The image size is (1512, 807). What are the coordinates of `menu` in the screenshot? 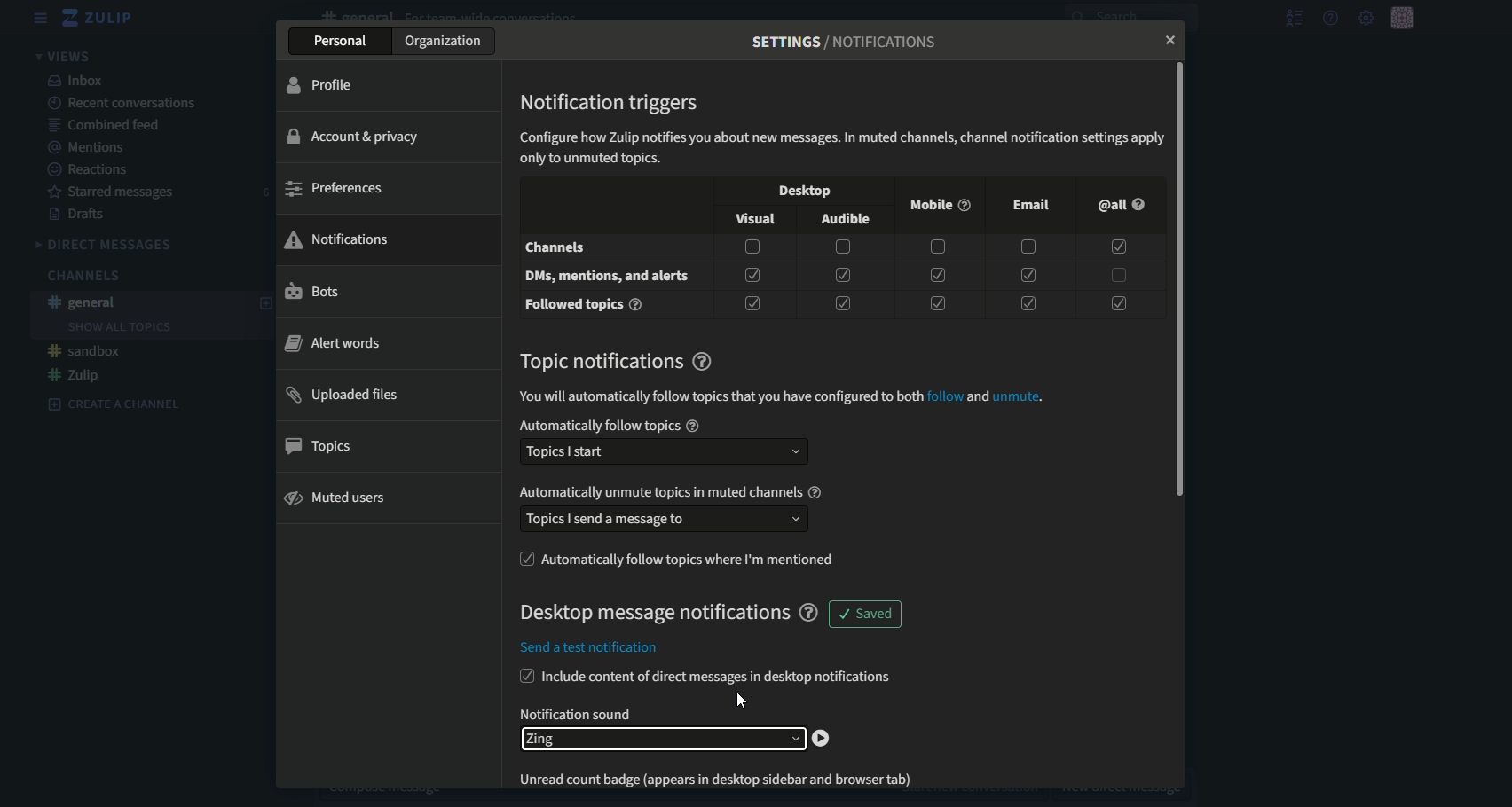 It's located at (41, 18).